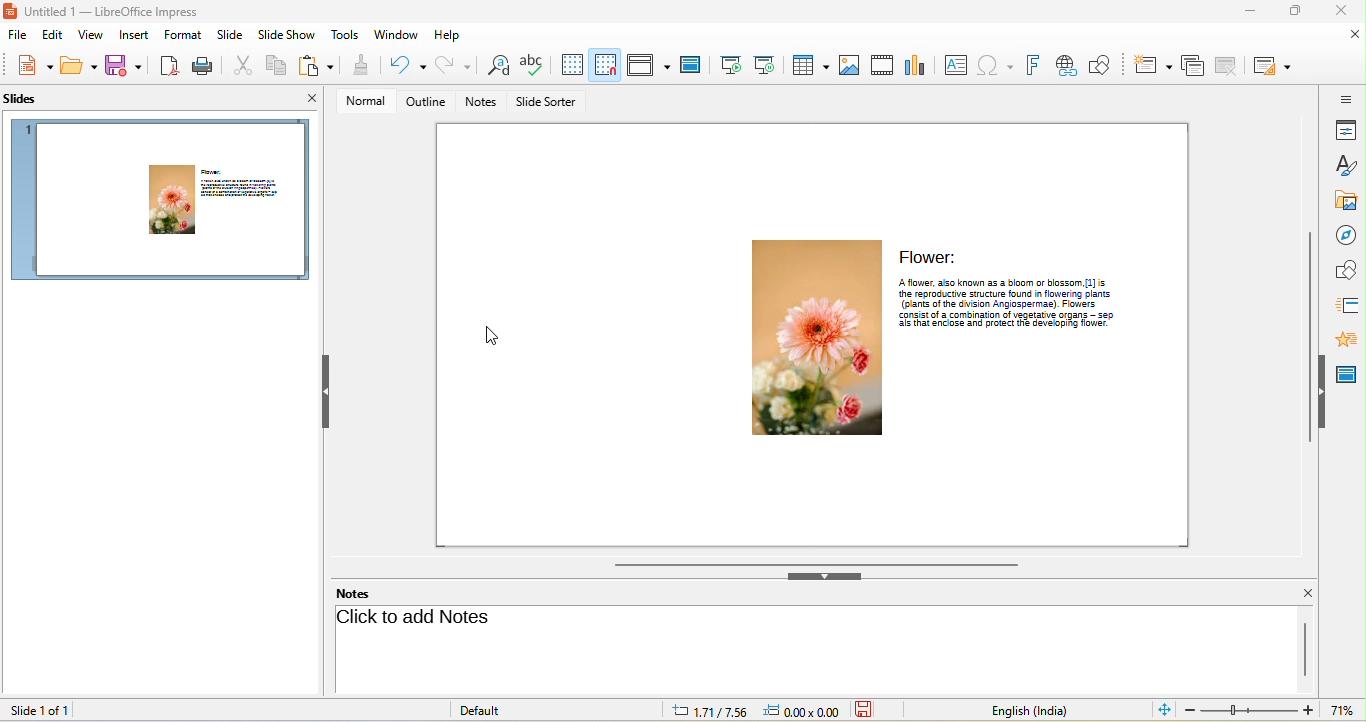 The width and height of the screenshot is (1366, 722). What do you see at coordinates (1006, 315) in the screenshot?
I see `consist of a combination of vegetative organs —- sep` at bounding box center [1006, 315].